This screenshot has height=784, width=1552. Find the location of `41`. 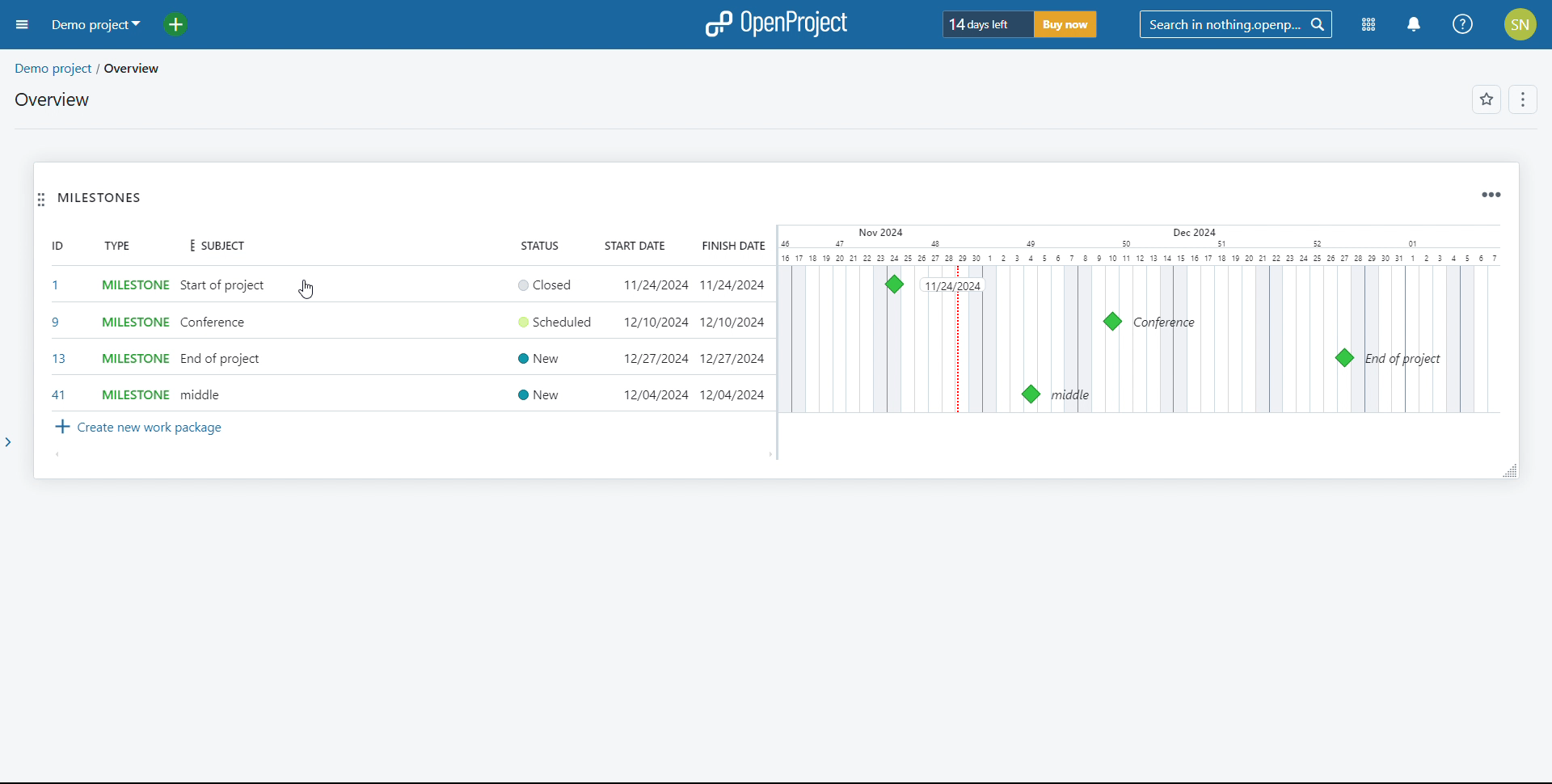

41 is located at coordinates (60, 393).